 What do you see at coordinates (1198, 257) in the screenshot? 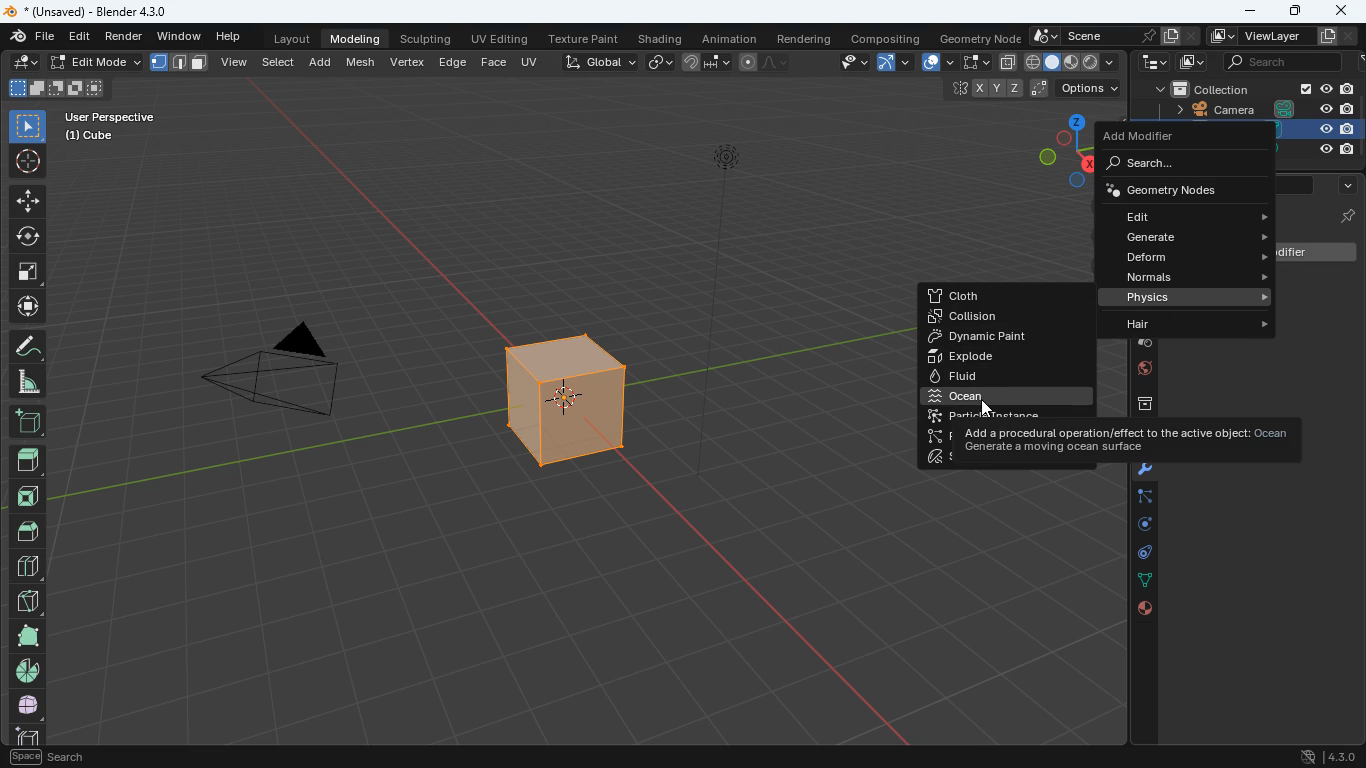
I see `deform` at bounding box center [1198, 257].